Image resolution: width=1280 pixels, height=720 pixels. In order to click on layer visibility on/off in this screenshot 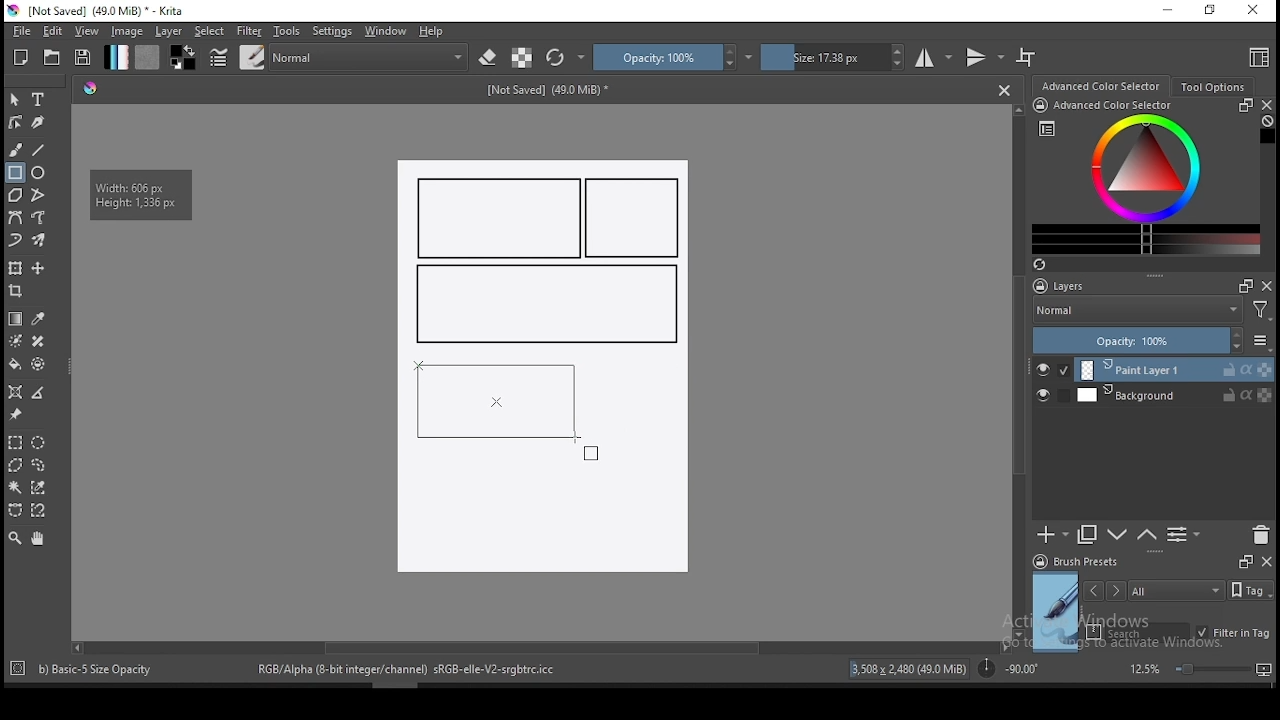, I will do `click(1053, 370)`.